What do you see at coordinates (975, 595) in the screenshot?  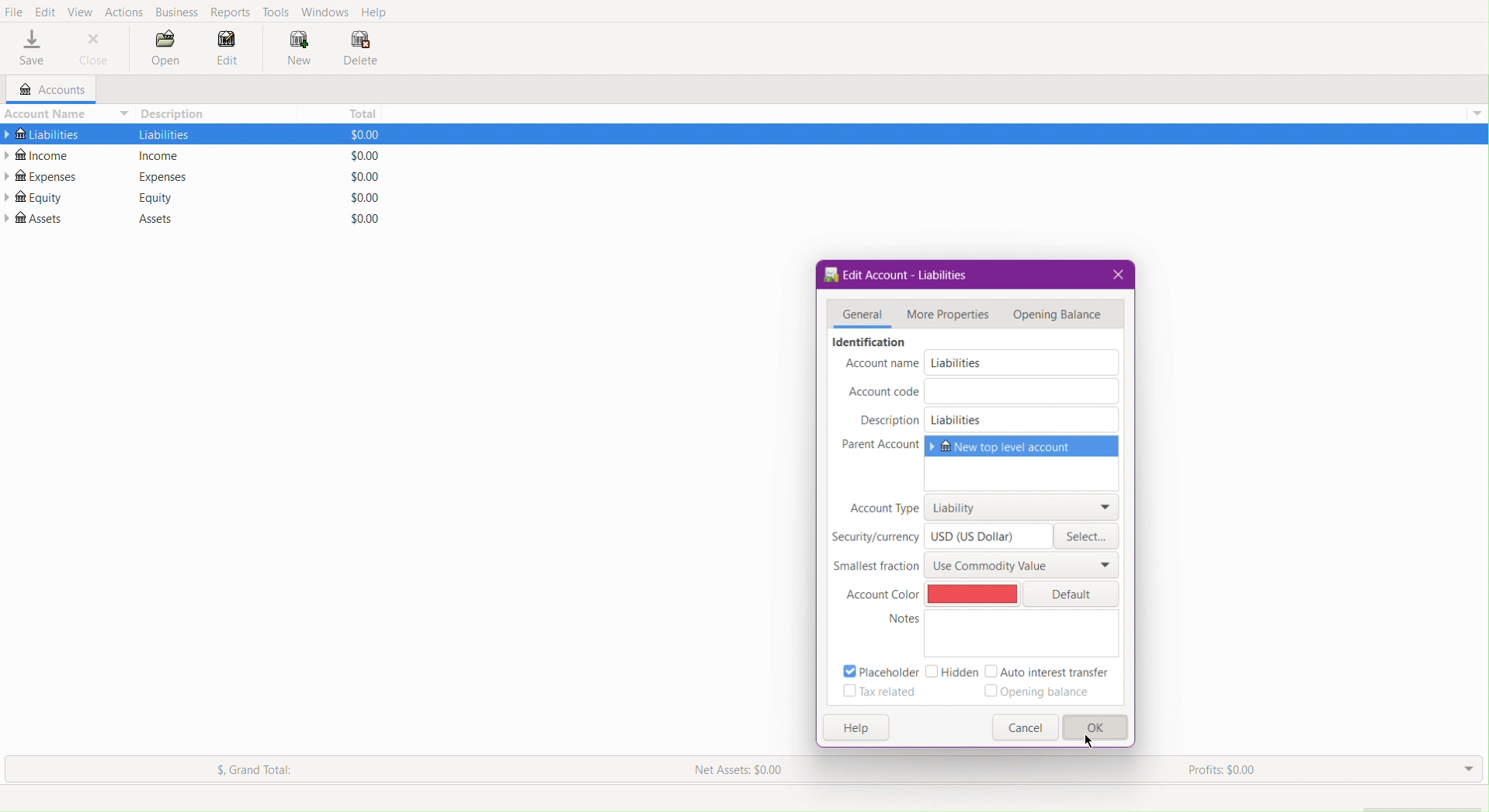 I see `Red Color` at bounding box center [975, 595].